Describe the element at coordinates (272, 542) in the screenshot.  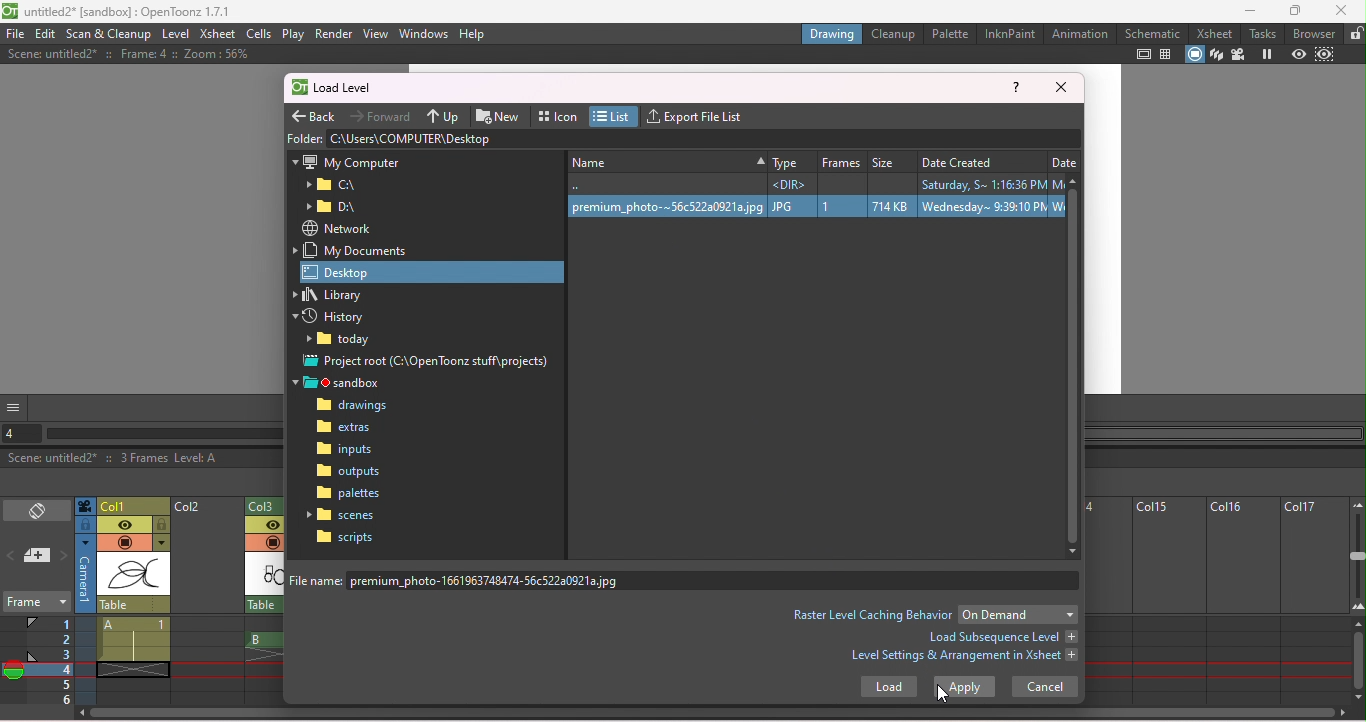
I see `camera stand visibility toggle` at that location.